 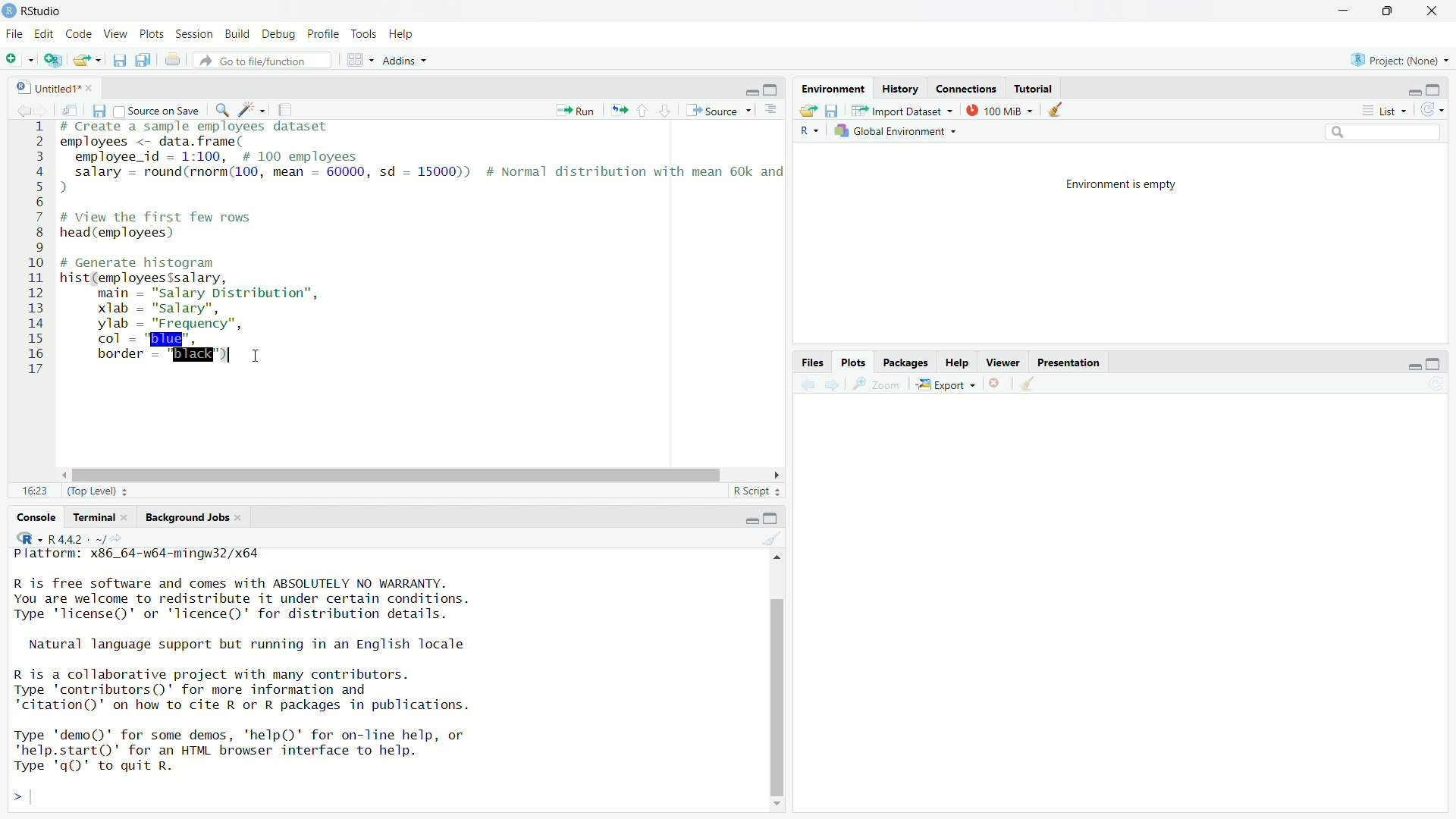 What do you see at coordinates (61, 475) in the screenshot?
I see `scroll left` at bounding box center [61, 475].